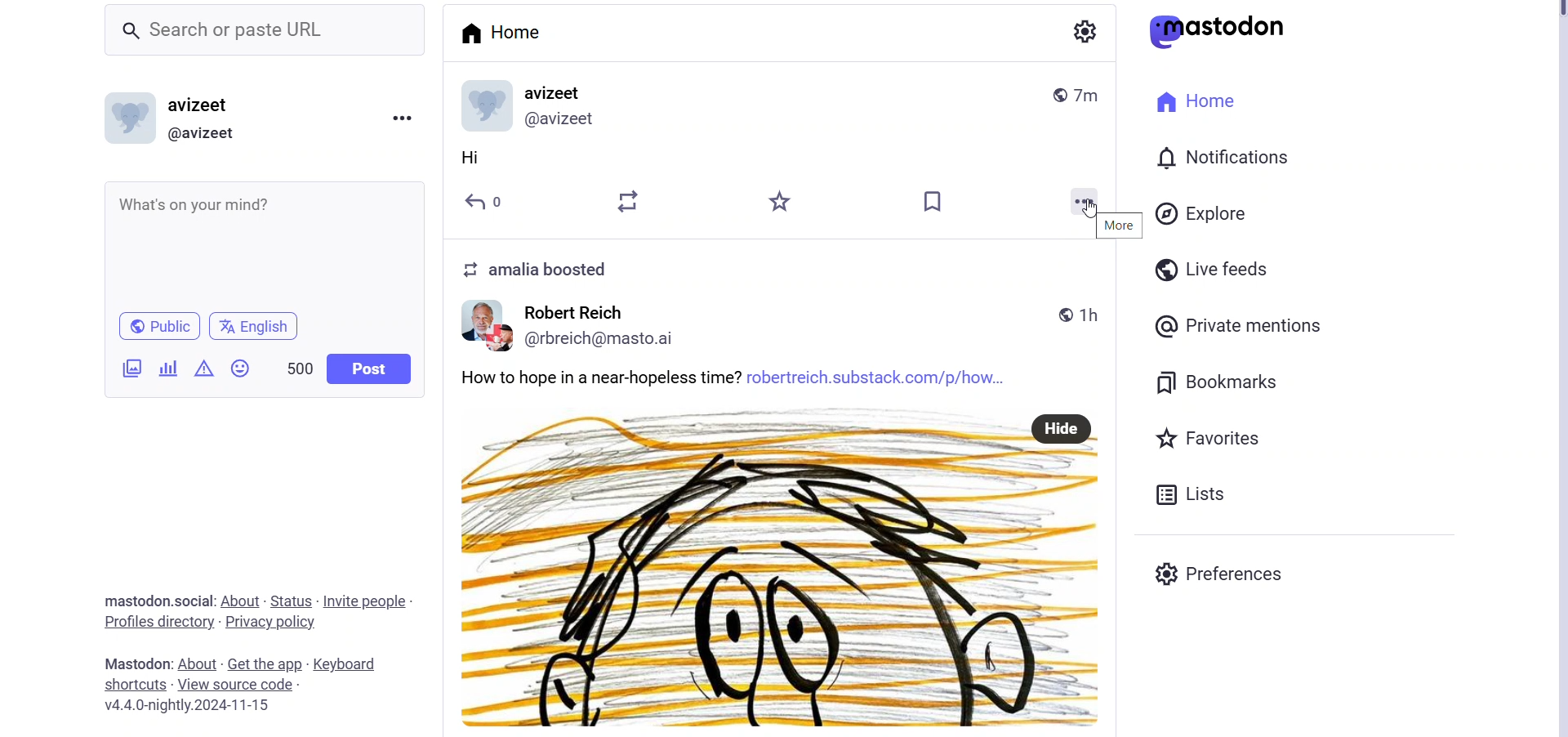 This screenshot has width=1568, height=737. I want to click on Favorites, so click(776, 202).